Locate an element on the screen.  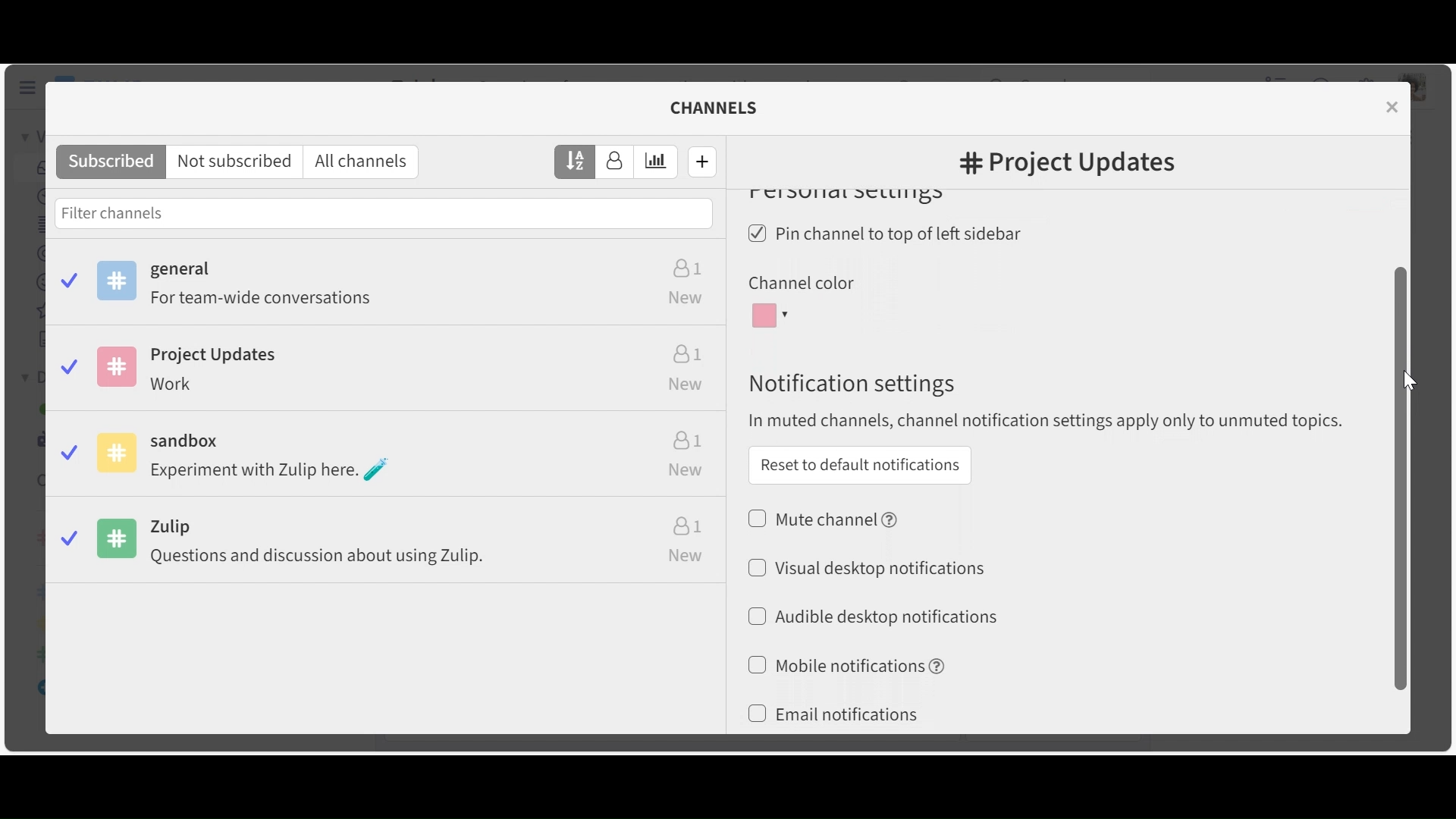
Reset to default notifications is located at coordinates (859, 465).